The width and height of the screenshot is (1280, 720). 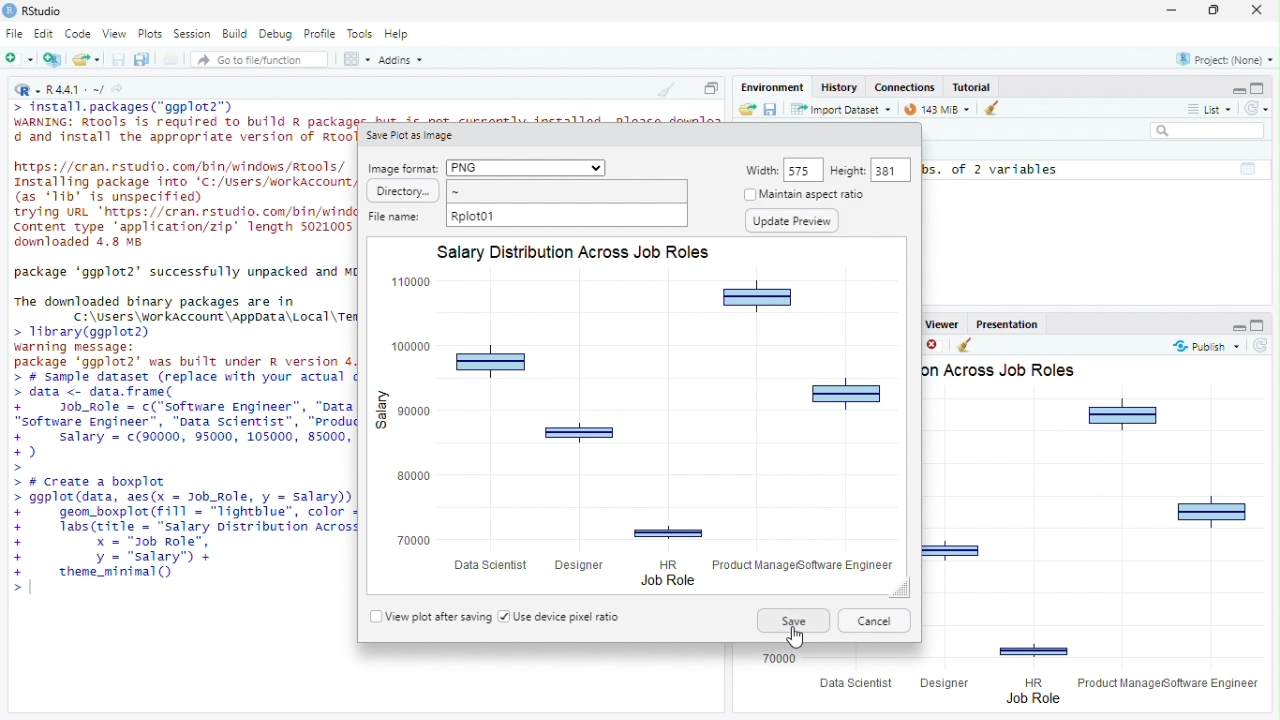 What do you see at coordinates (839, 87) in the screenshot?
I see `History` at bounding box center [839, 87].